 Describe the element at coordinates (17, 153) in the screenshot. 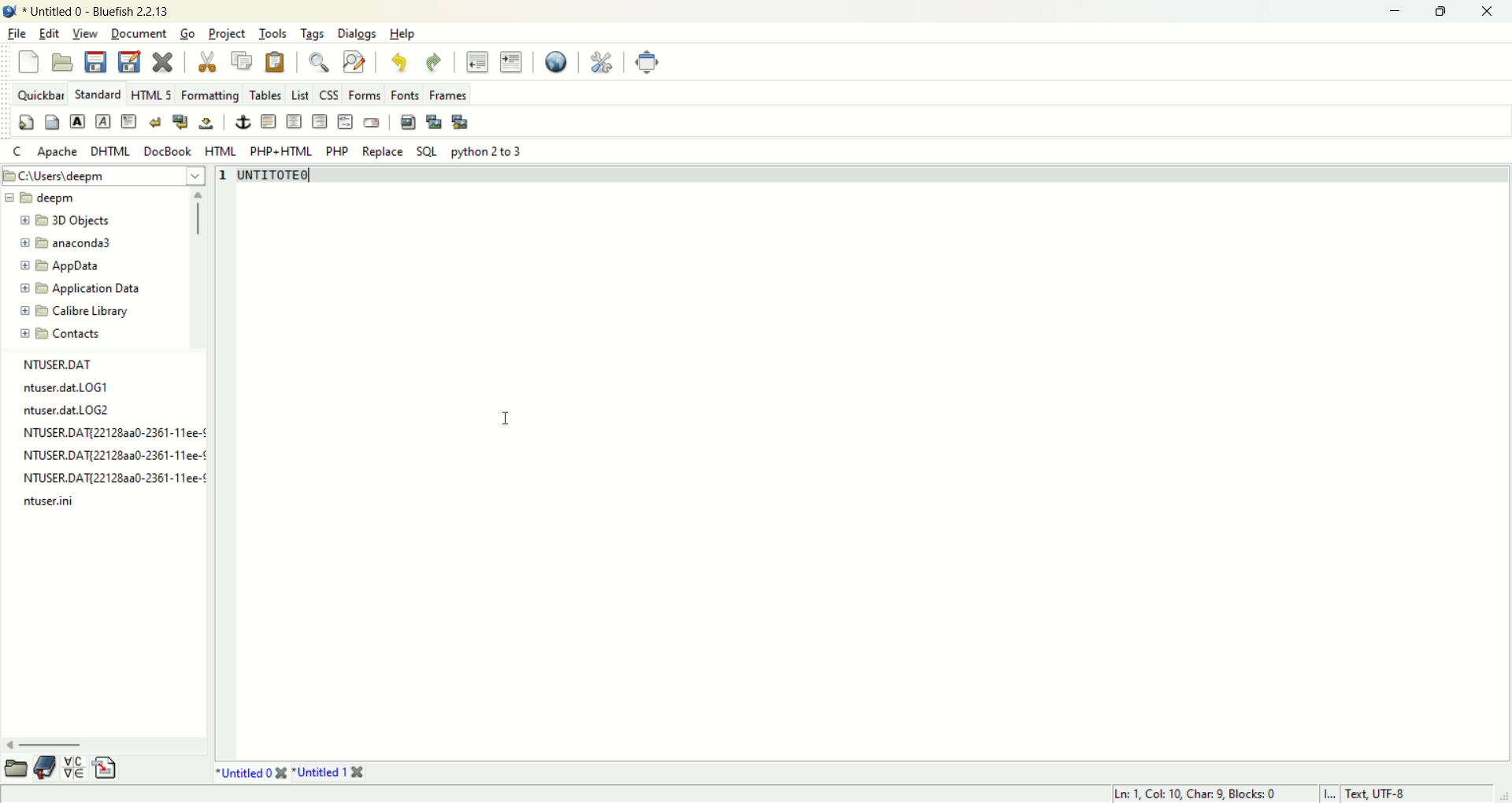

I see `C` at that location.